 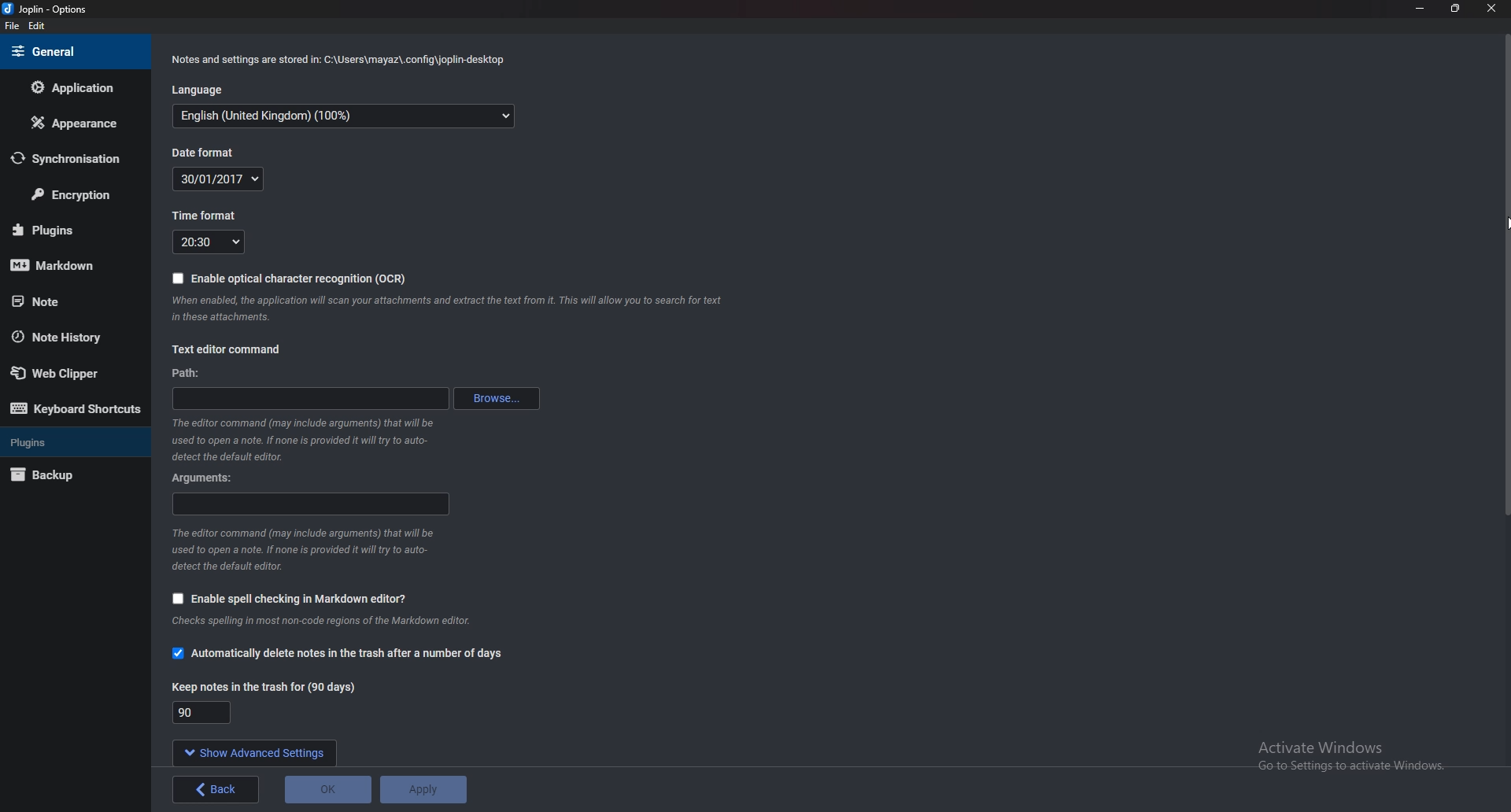 What do you see at coordinates (316, 624) in the screenshot?
I see `Info on editor command` at bounding box center [316, 624].